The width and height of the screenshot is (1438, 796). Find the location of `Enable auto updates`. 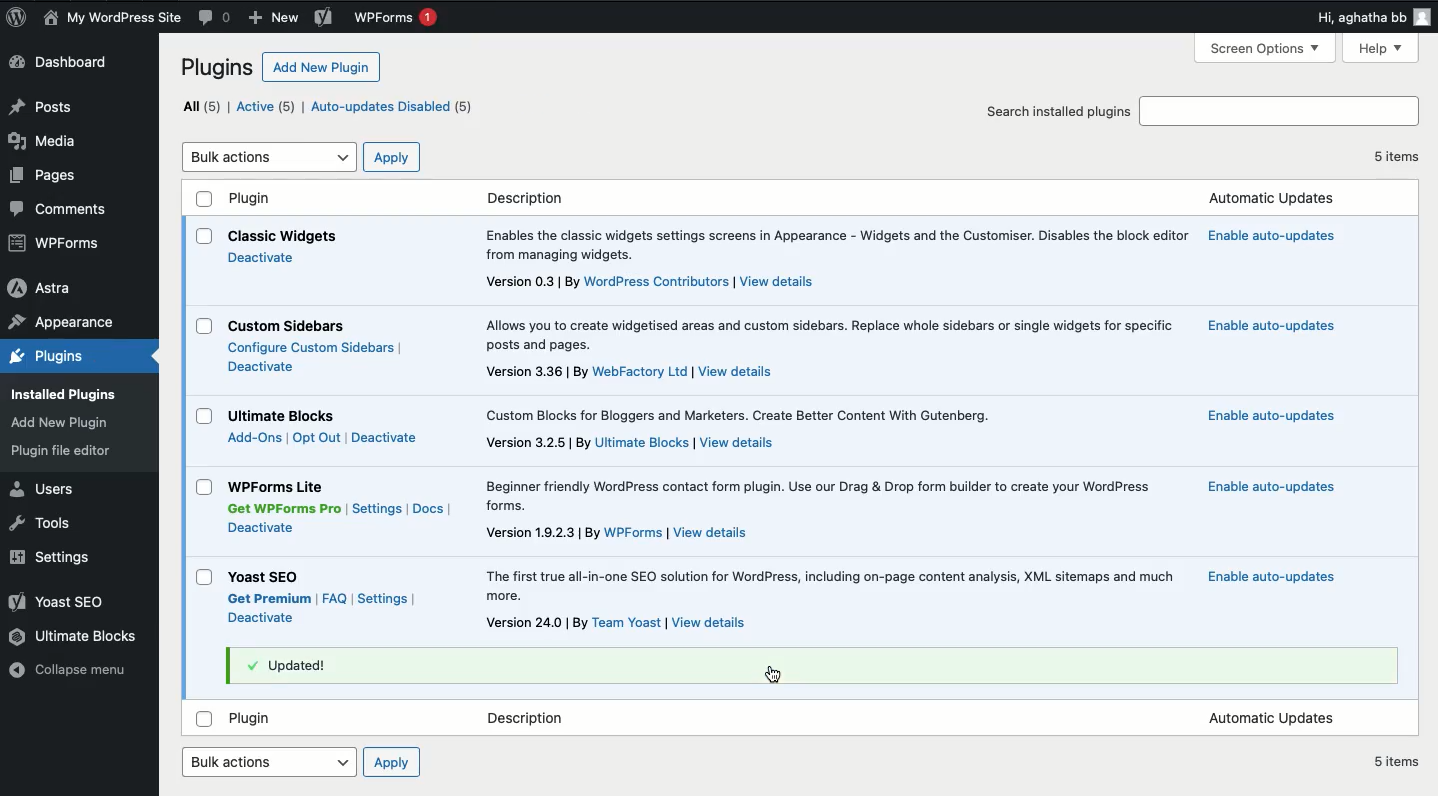

Enable auto updates is located at coordinates (1275, 487).